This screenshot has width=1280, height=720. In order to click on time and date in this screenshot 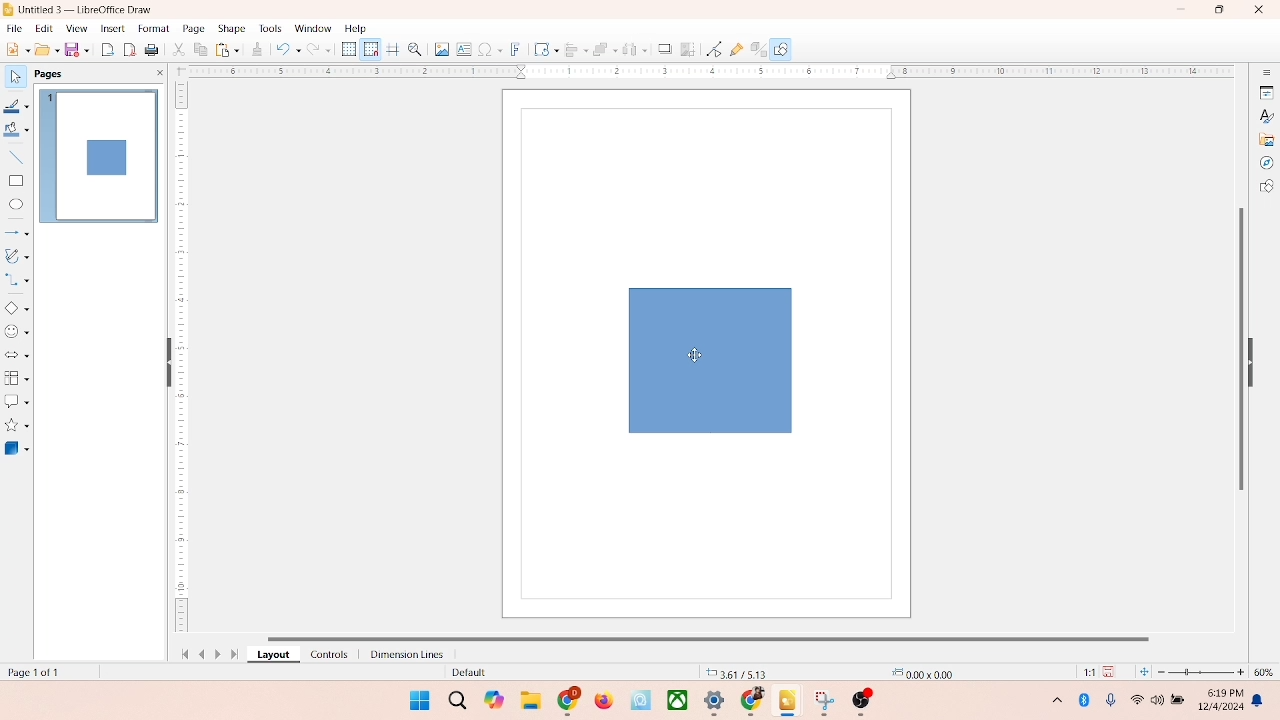, I will do `click(1219, 697)`.